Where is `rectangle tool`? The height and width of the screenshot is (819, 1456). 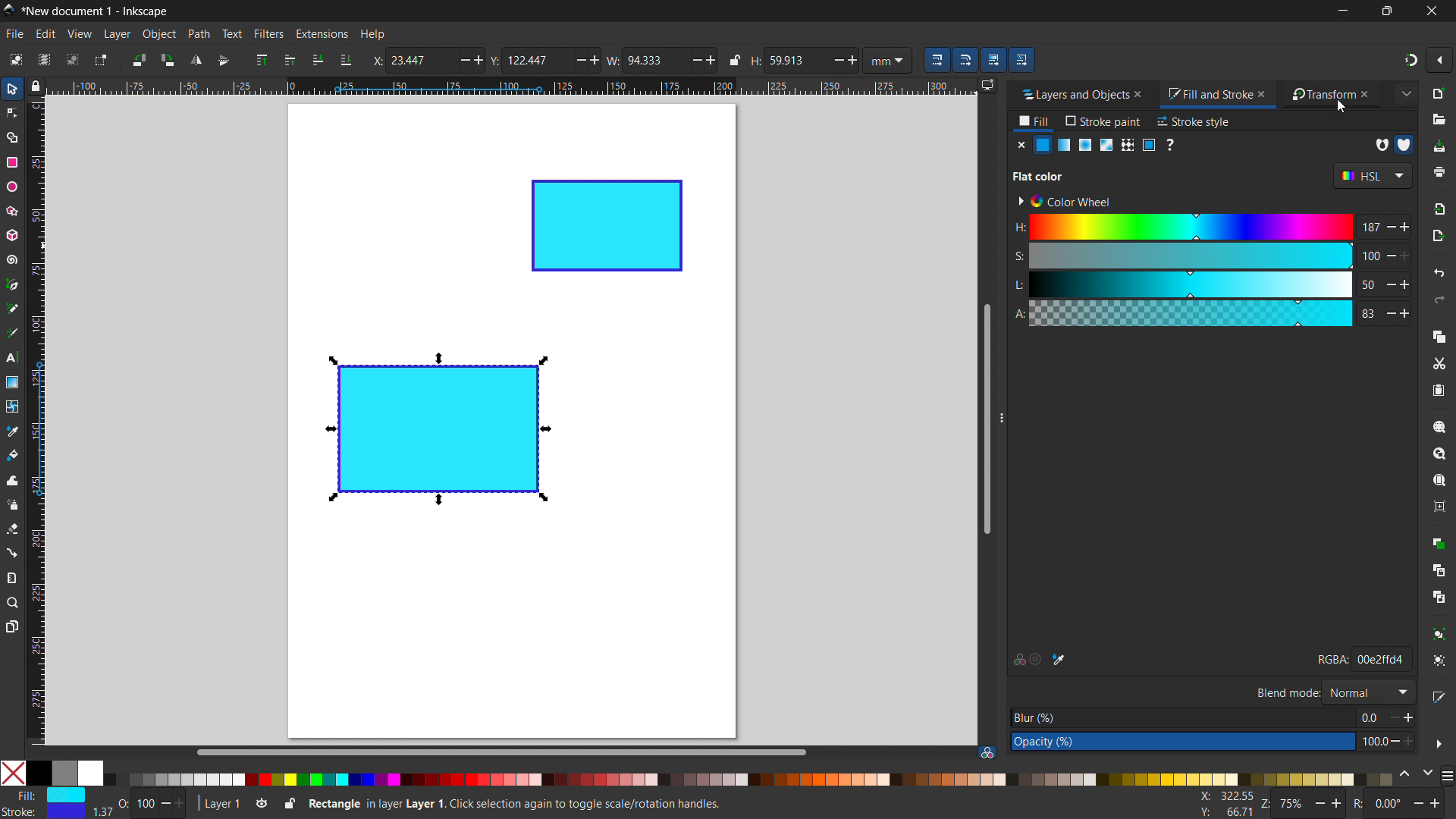
rectangle tool is located at coordinates (12, 162).